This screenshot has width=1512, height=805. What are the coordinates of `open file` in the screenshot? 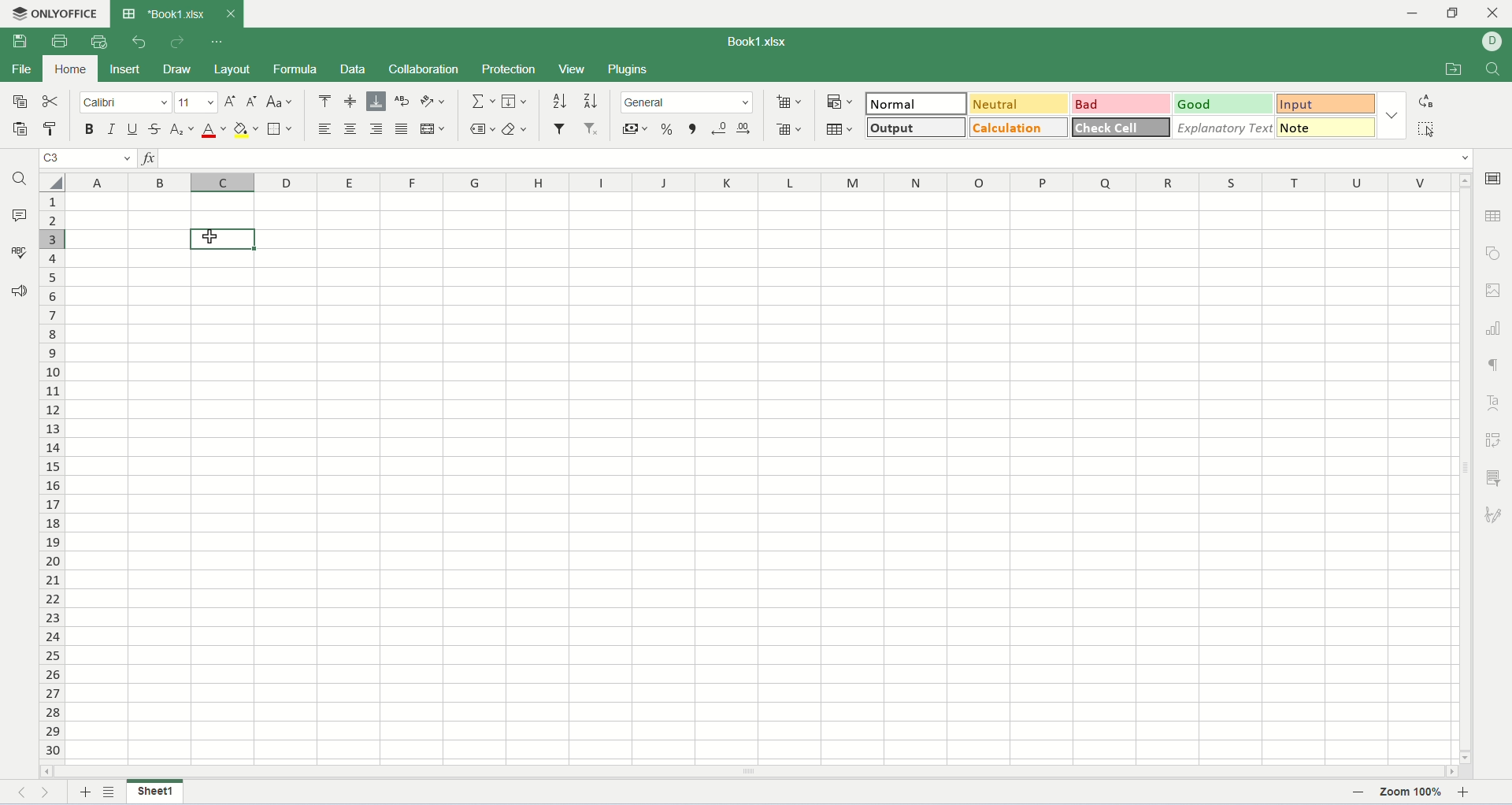 It's located at (1451, 69).